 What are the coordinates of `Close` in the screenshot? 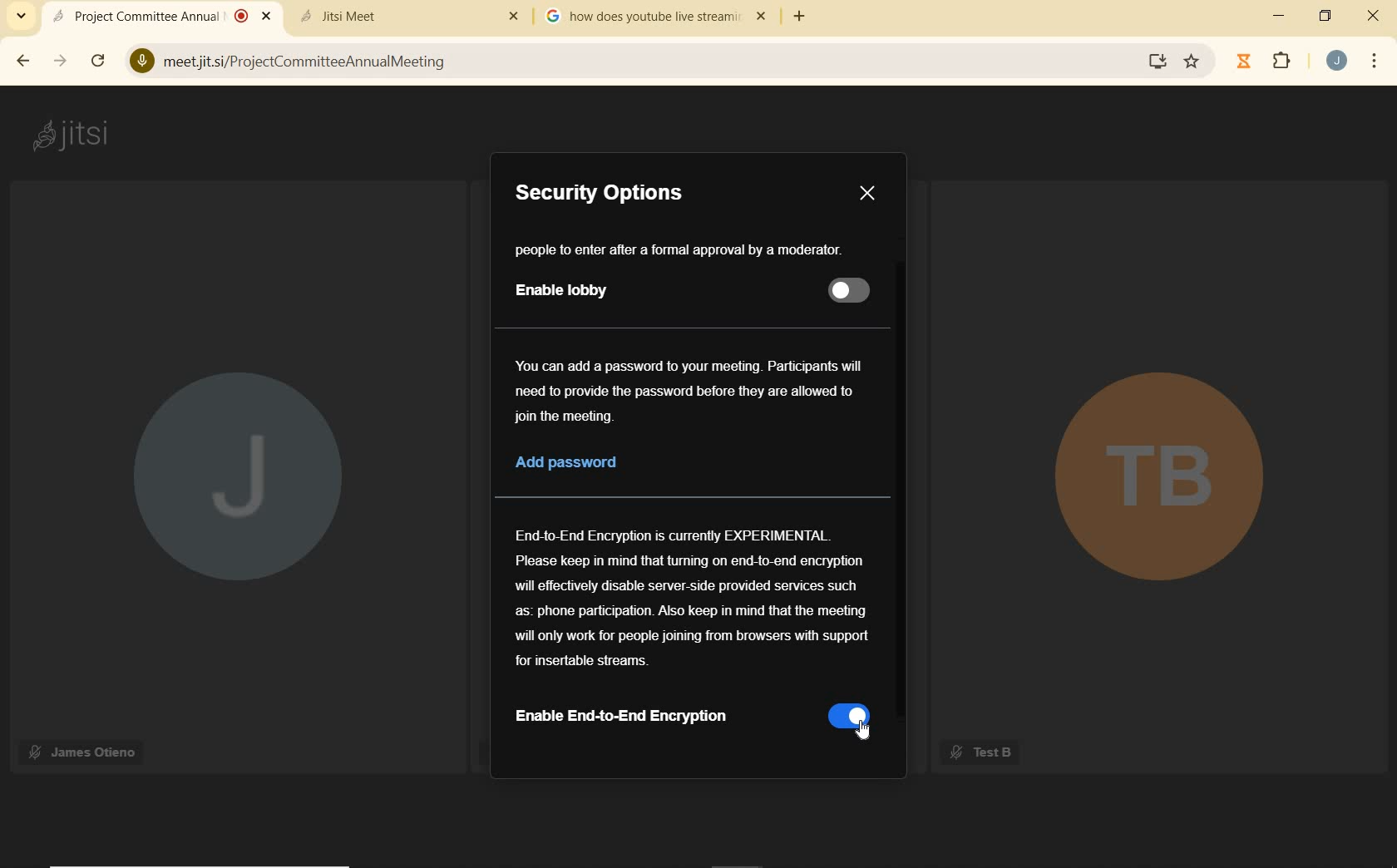 It's located at (868, 190).